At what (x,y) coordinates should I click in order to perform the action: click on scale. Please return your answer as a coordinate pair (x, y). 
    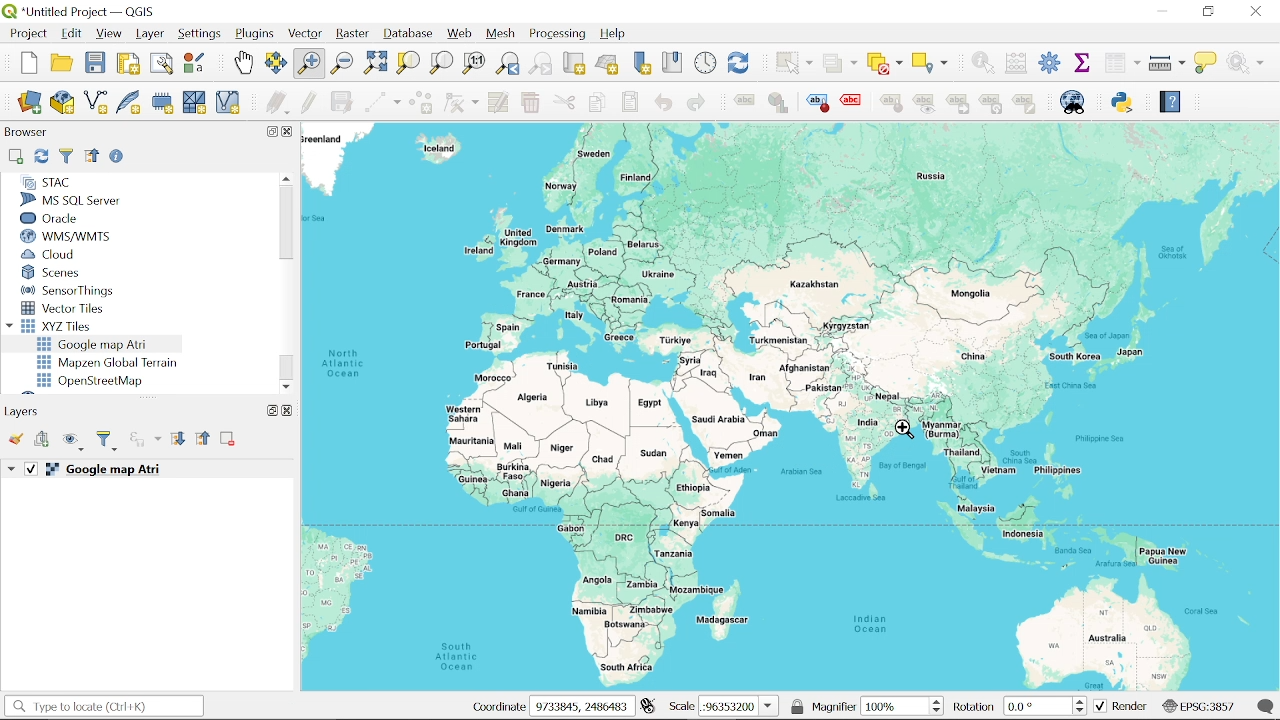
    Looking at the image, I should click on (680, 707).